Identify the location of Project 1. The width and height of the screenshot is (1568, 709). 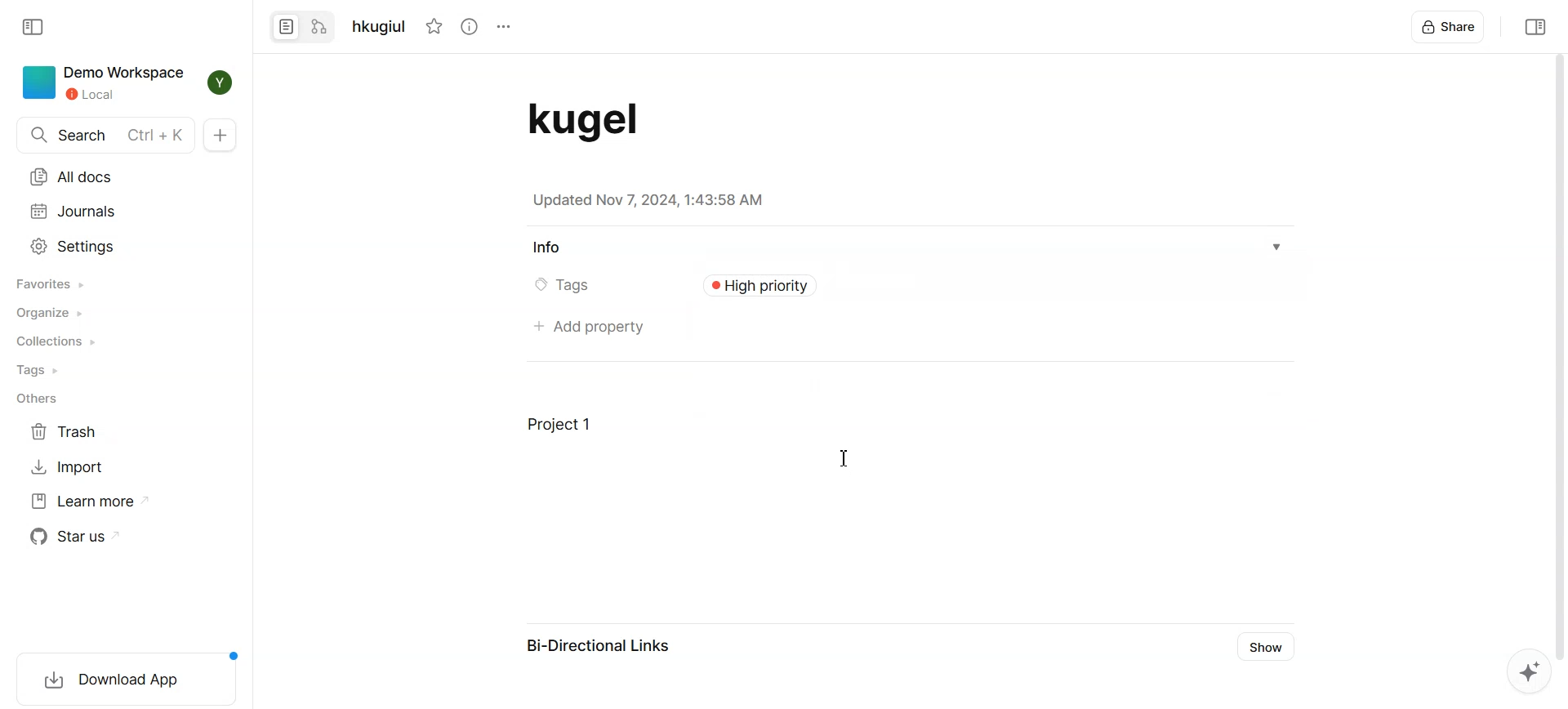
(557, 426).